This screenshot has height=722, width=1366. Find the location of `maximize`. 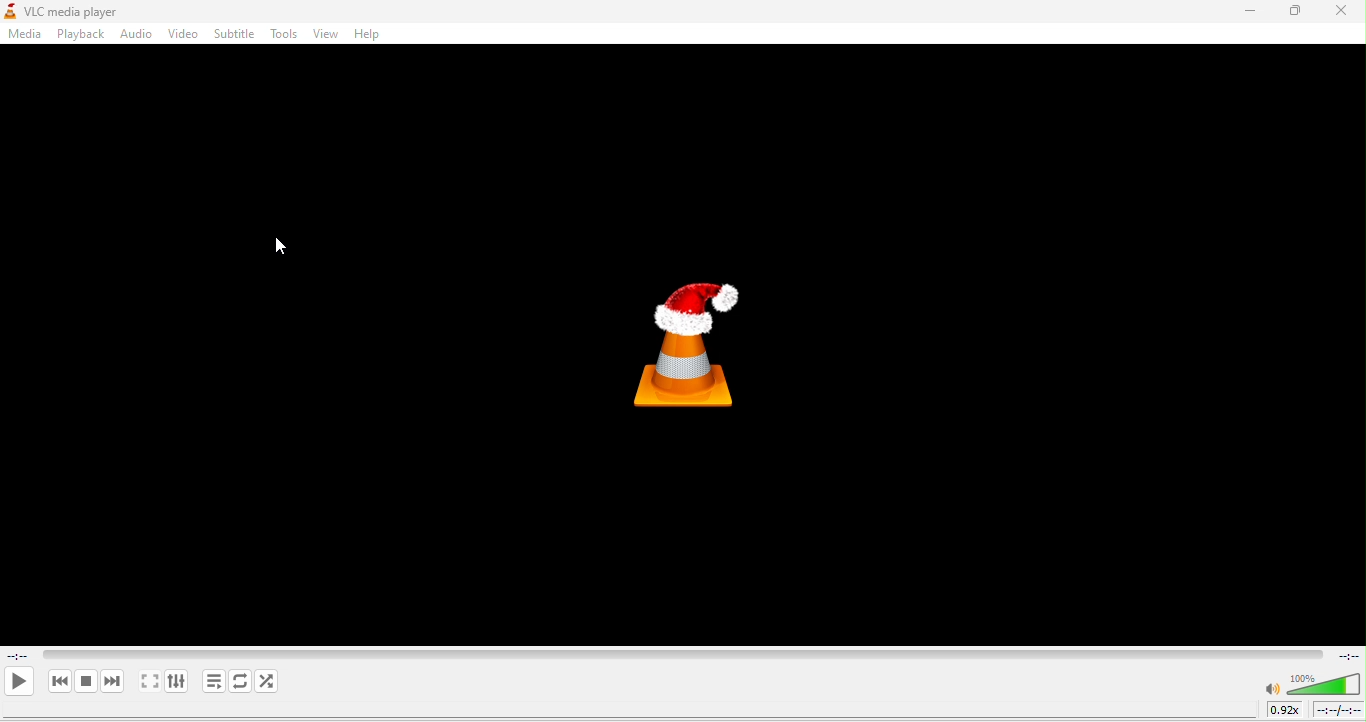

maximize is located at coordinates (1296, 12).